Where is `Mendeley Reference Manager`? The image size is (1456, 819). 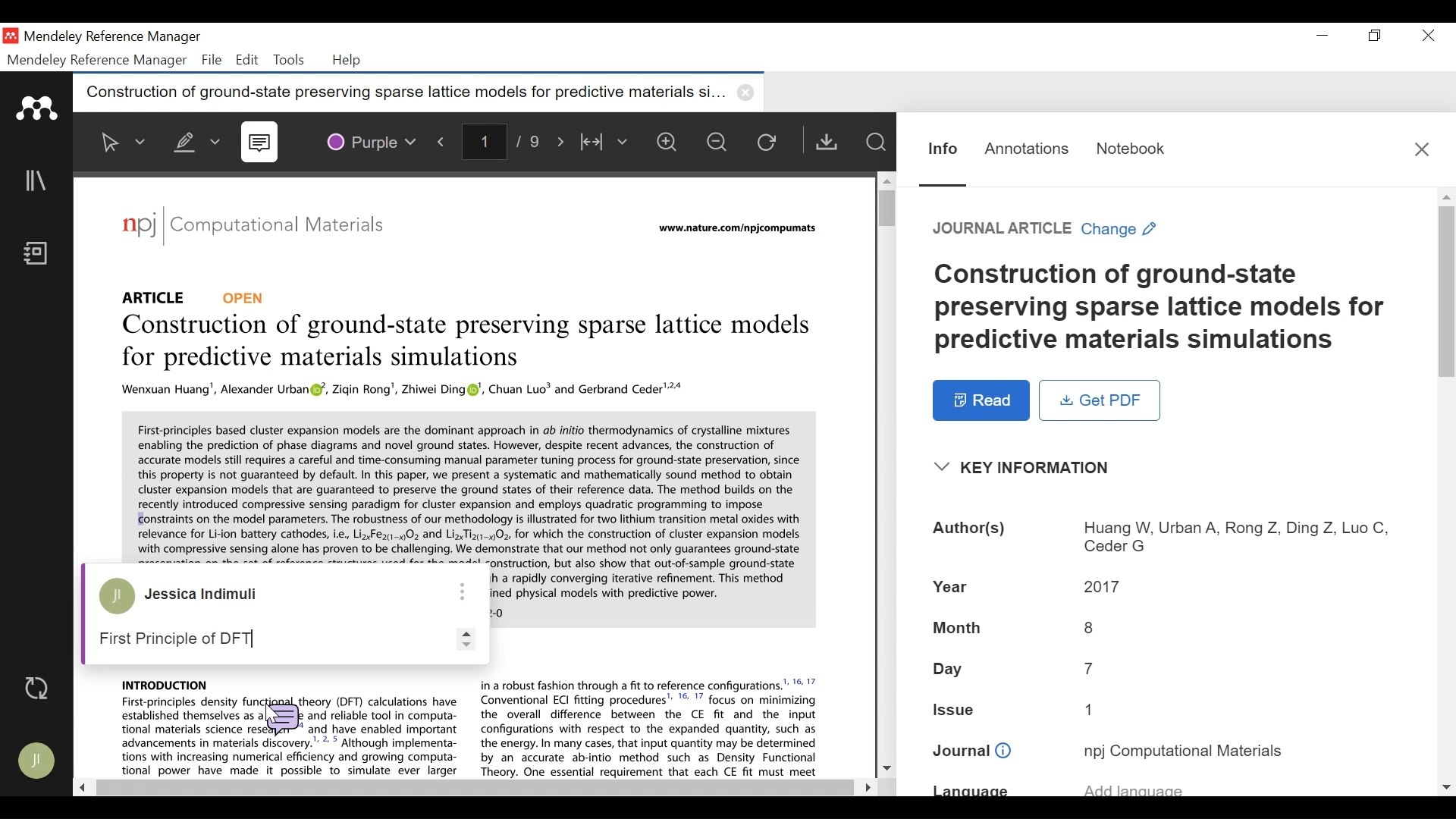 Mendeley Reference Manager is located at coordinates (113, 37).